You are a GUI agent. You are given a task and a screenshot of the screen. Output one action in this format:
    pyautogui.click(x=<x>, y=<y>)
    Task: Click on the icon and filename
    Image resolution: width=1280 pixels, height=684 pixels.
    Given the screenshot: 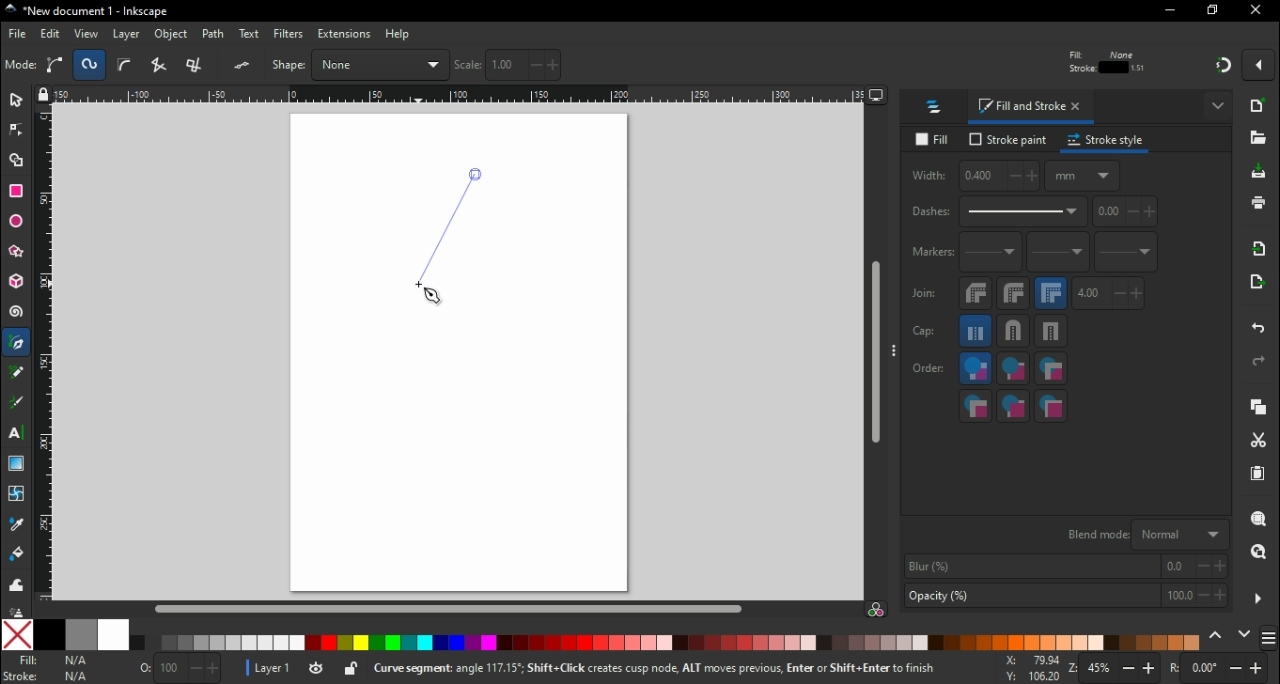 What is the action you would take?
    pyautogui.click(x=84, y=12)
    